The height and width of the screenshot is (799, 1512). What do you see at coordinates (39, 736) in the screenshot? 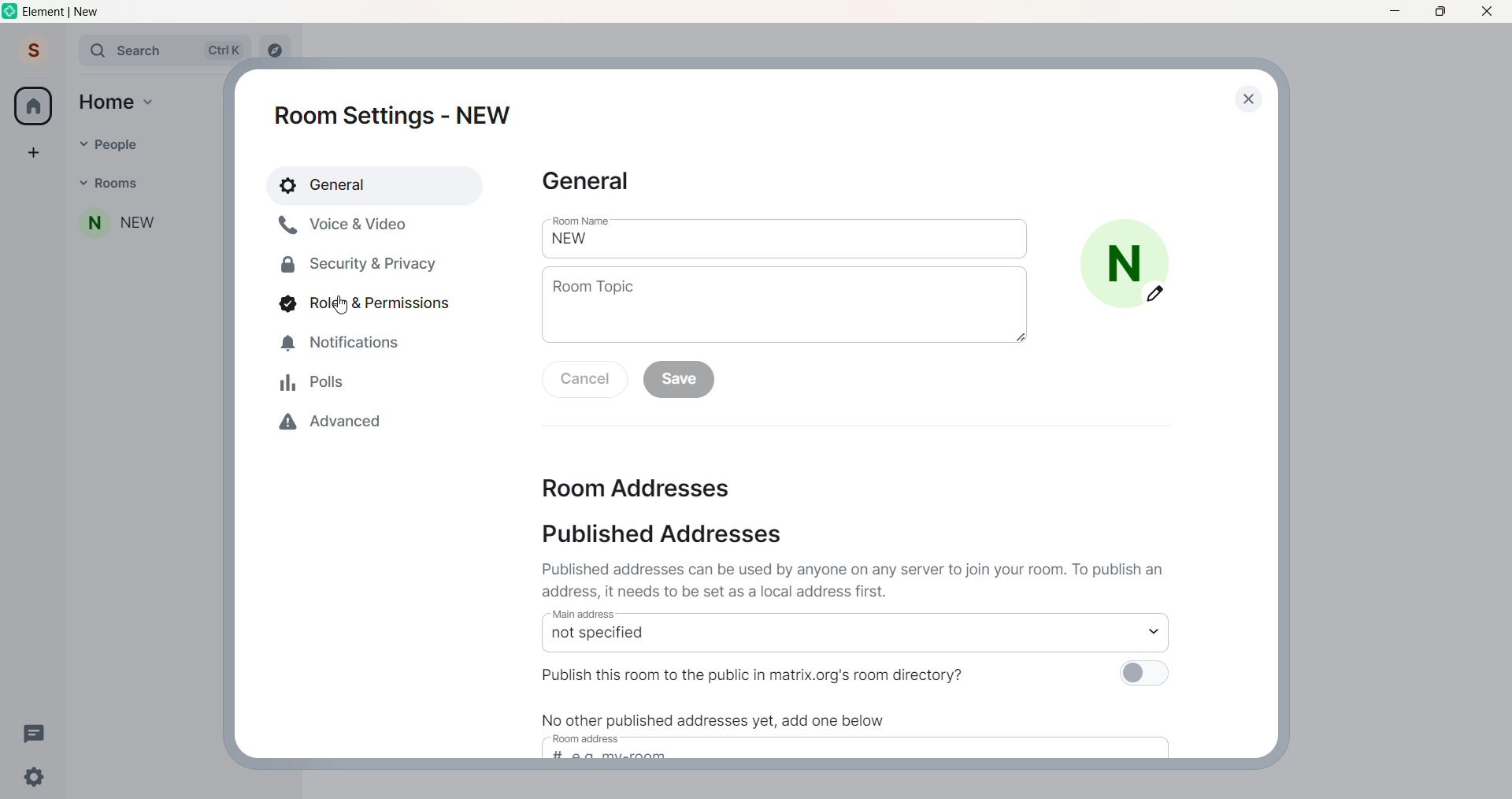
I see `threads` at bounding box center [39, 736].